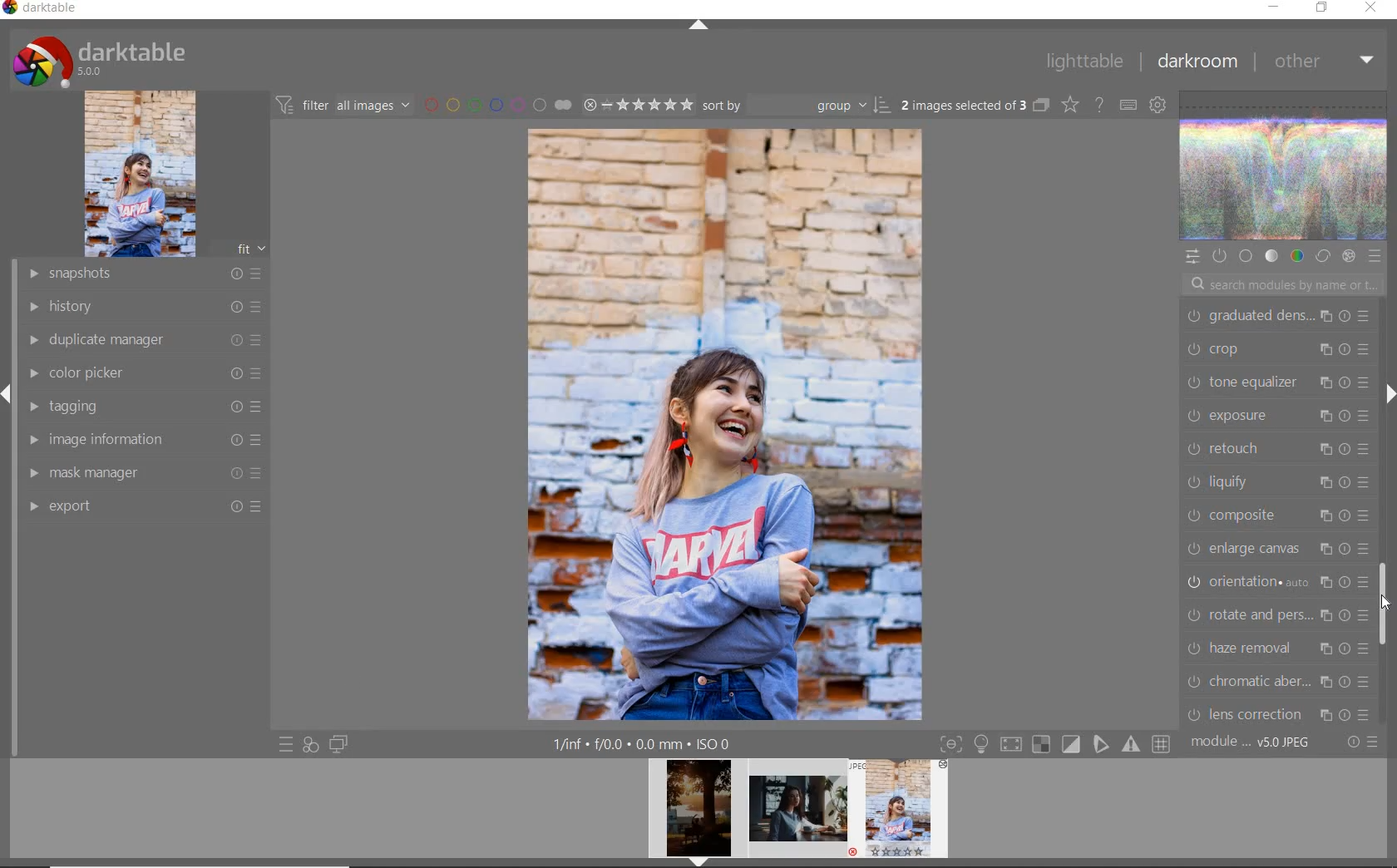 The height and width of the screenshot is (868, 1397). Describe the element at coordinates (1098, 103) in the screenshot. I see `ENABLE ONLINE FOR HELP` at that location.